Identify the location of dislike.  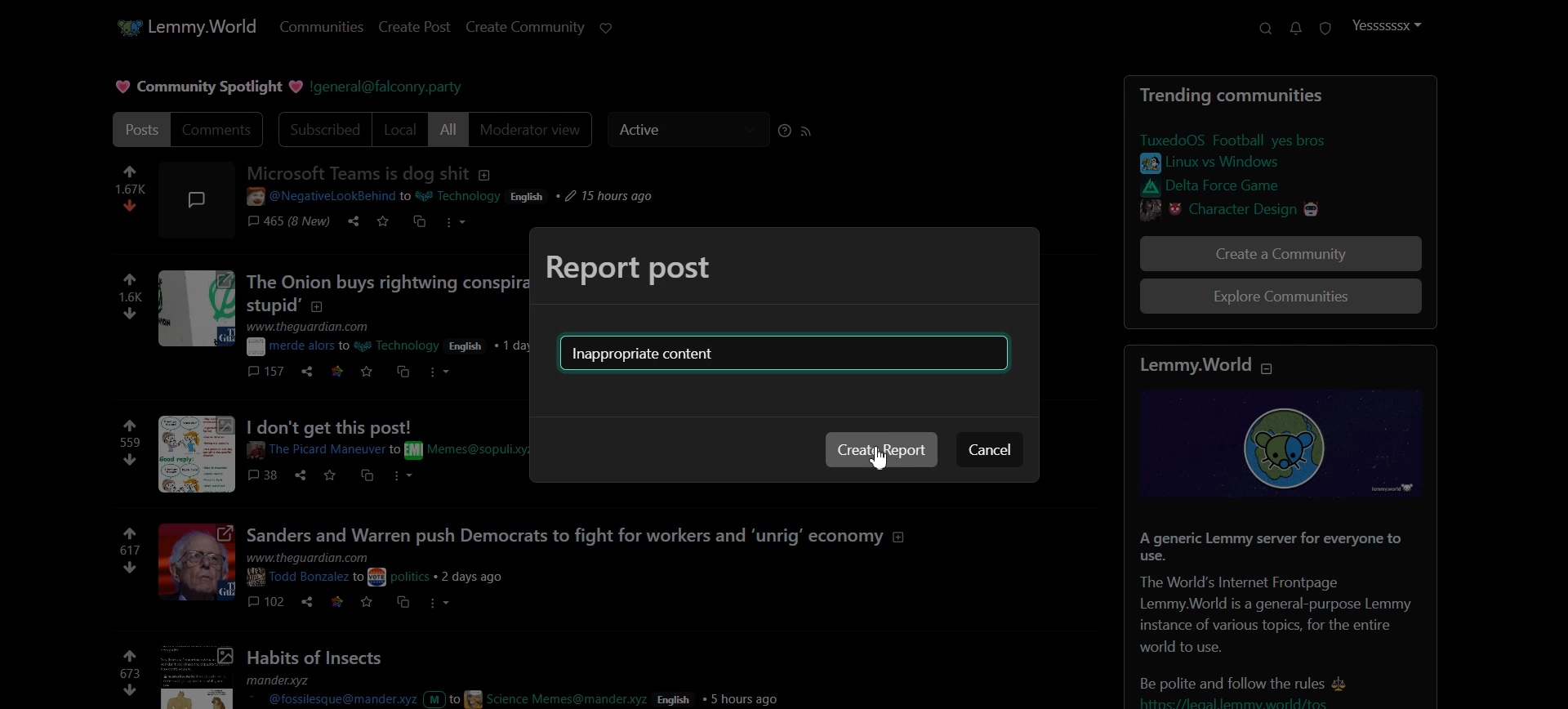
(131, 459).